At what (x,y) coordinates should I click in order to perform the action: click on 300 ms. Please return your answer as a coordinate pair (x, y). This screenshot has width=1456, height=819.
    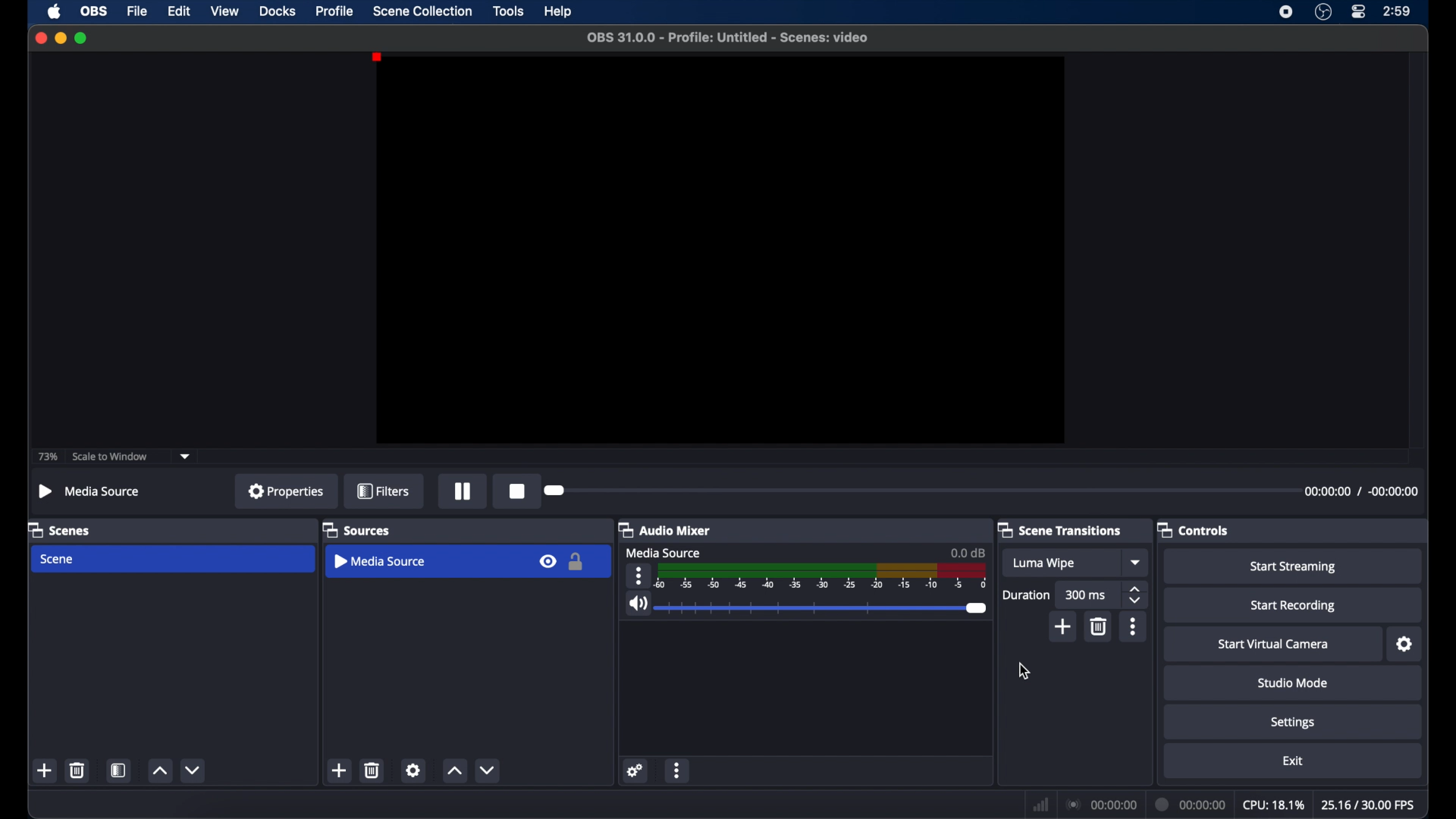
    Looking at the image, I should click on (1087, 594).